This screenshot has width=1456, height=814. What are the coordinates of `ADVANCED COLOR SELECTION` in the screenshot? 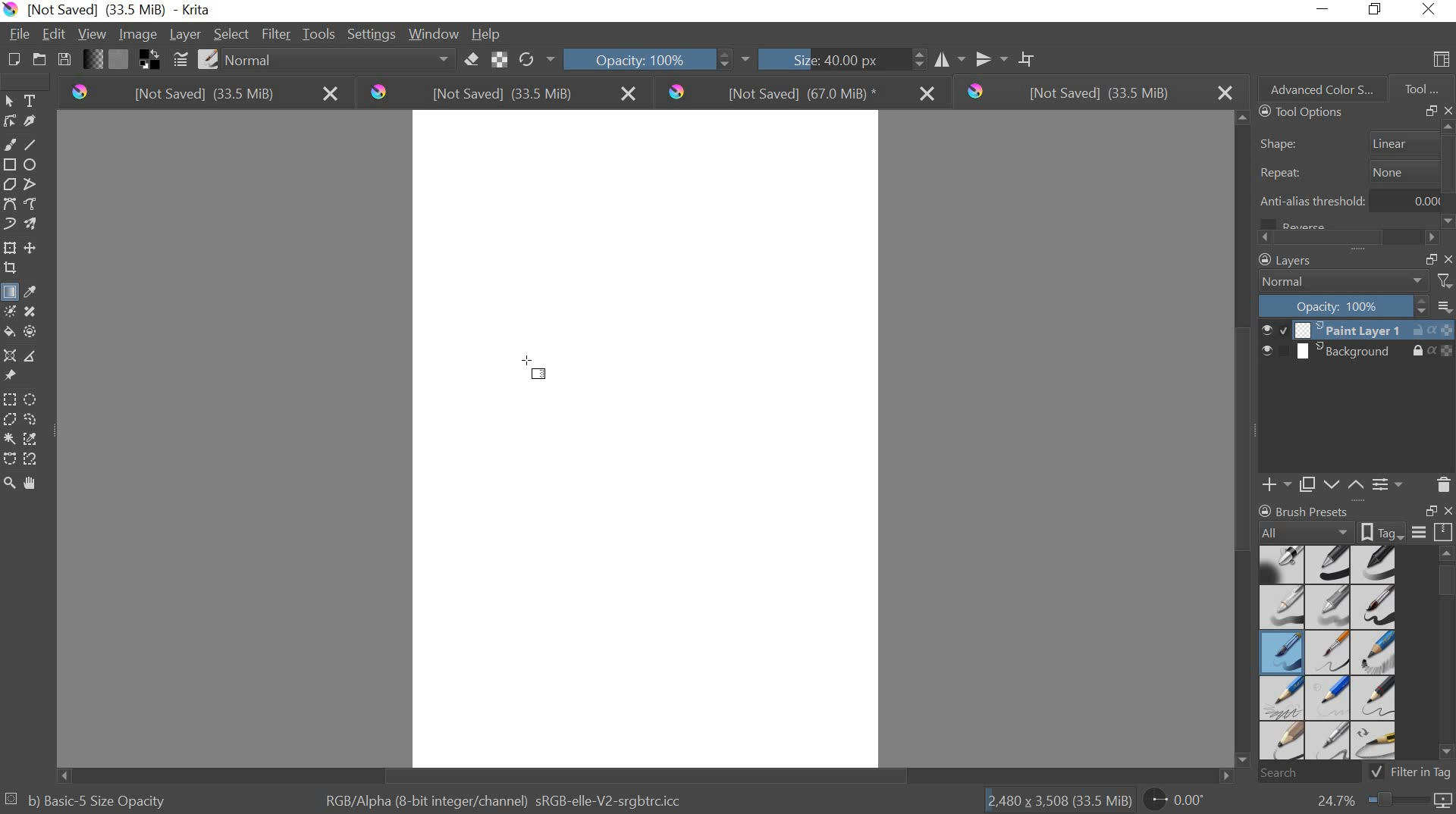 It's located at (1316, 86).